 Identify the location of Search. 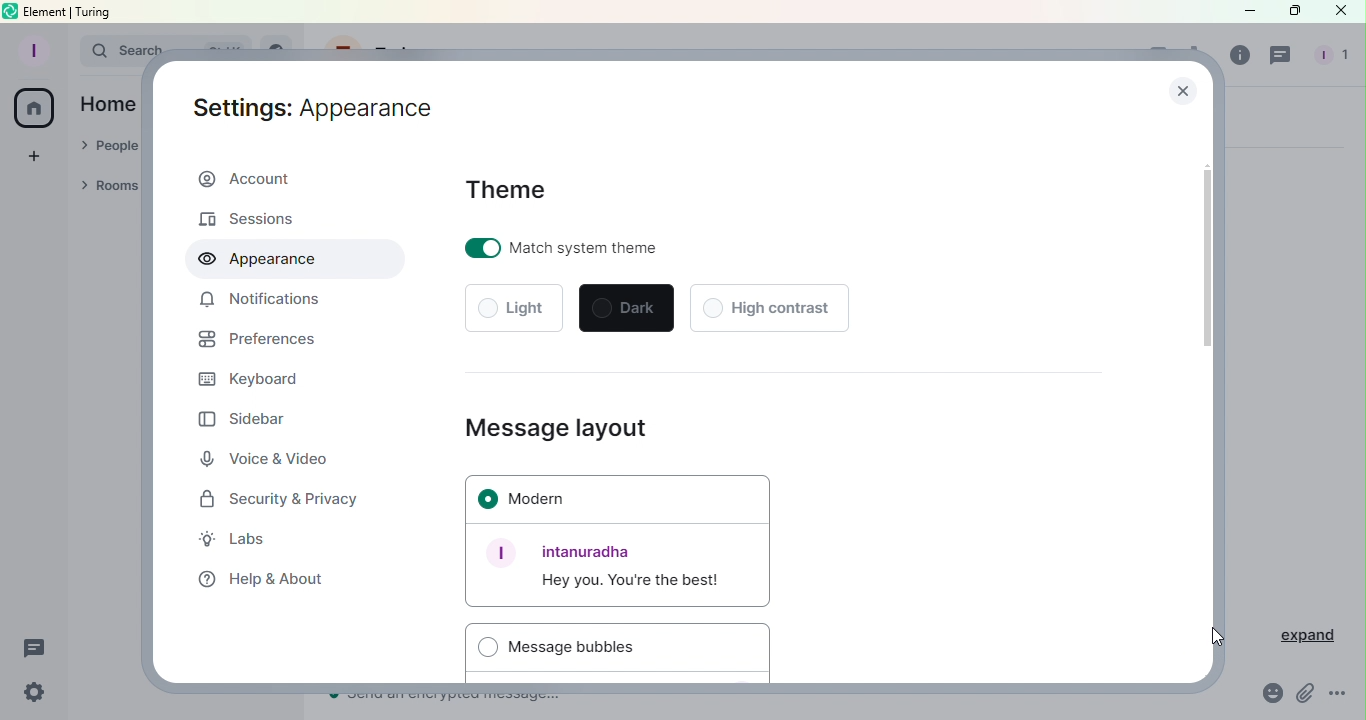
(108, 49).